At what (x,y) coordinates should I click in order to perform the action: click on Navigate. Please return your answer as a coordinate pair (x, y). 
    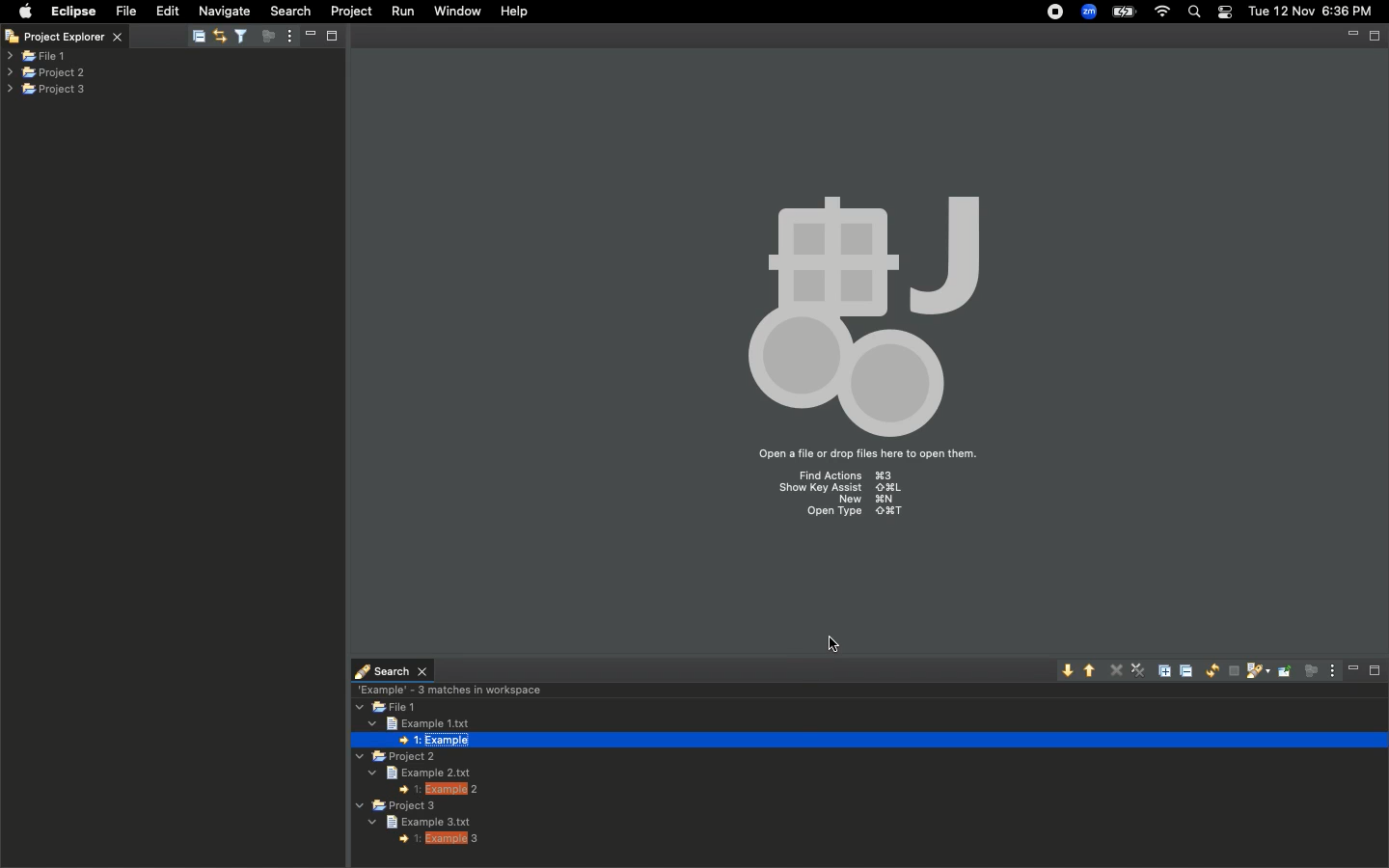
    Looking at the image, I should click on (226, 12).